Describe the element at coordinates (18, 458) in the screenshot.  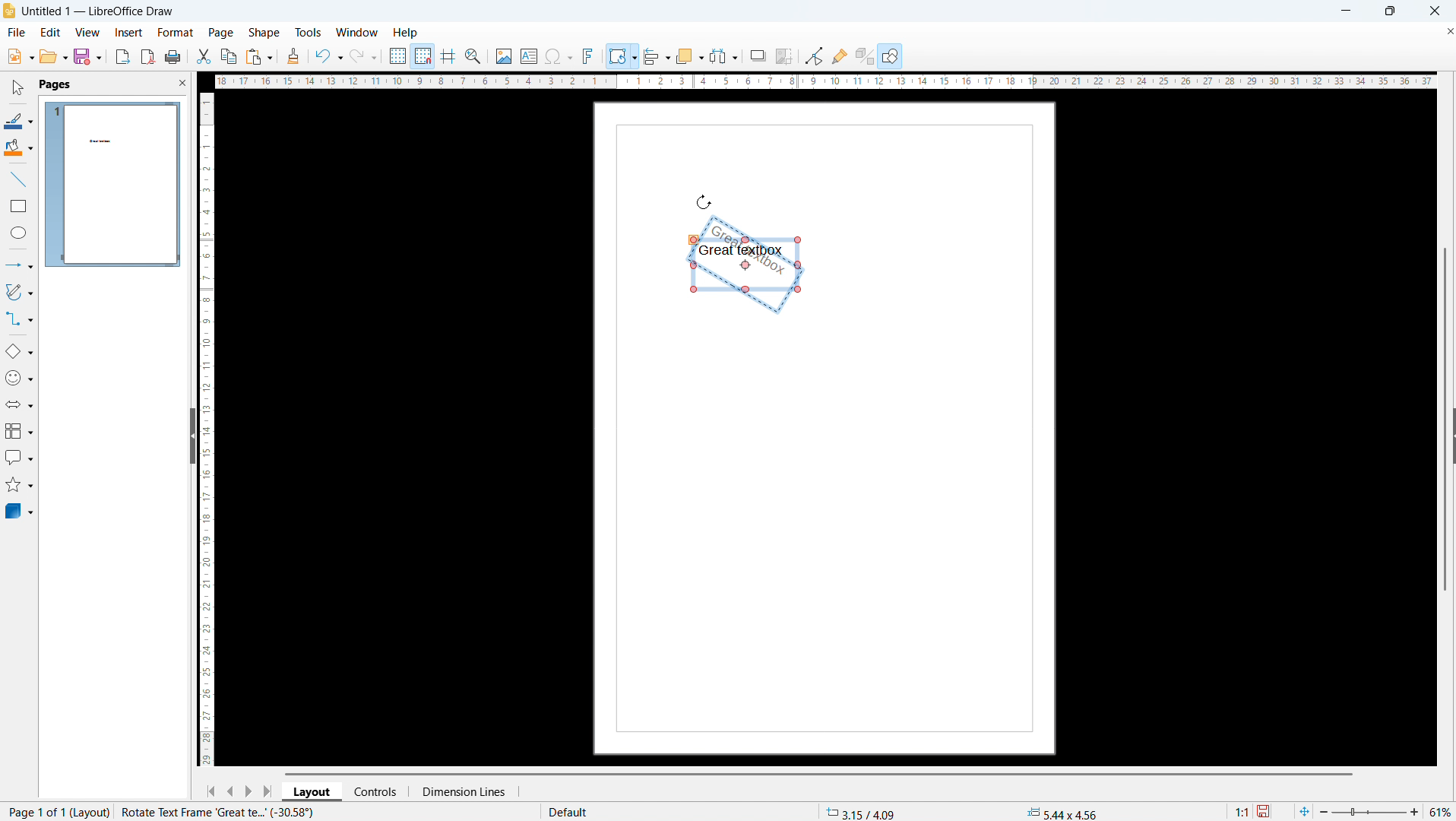
I see `callout shapes` at that location.